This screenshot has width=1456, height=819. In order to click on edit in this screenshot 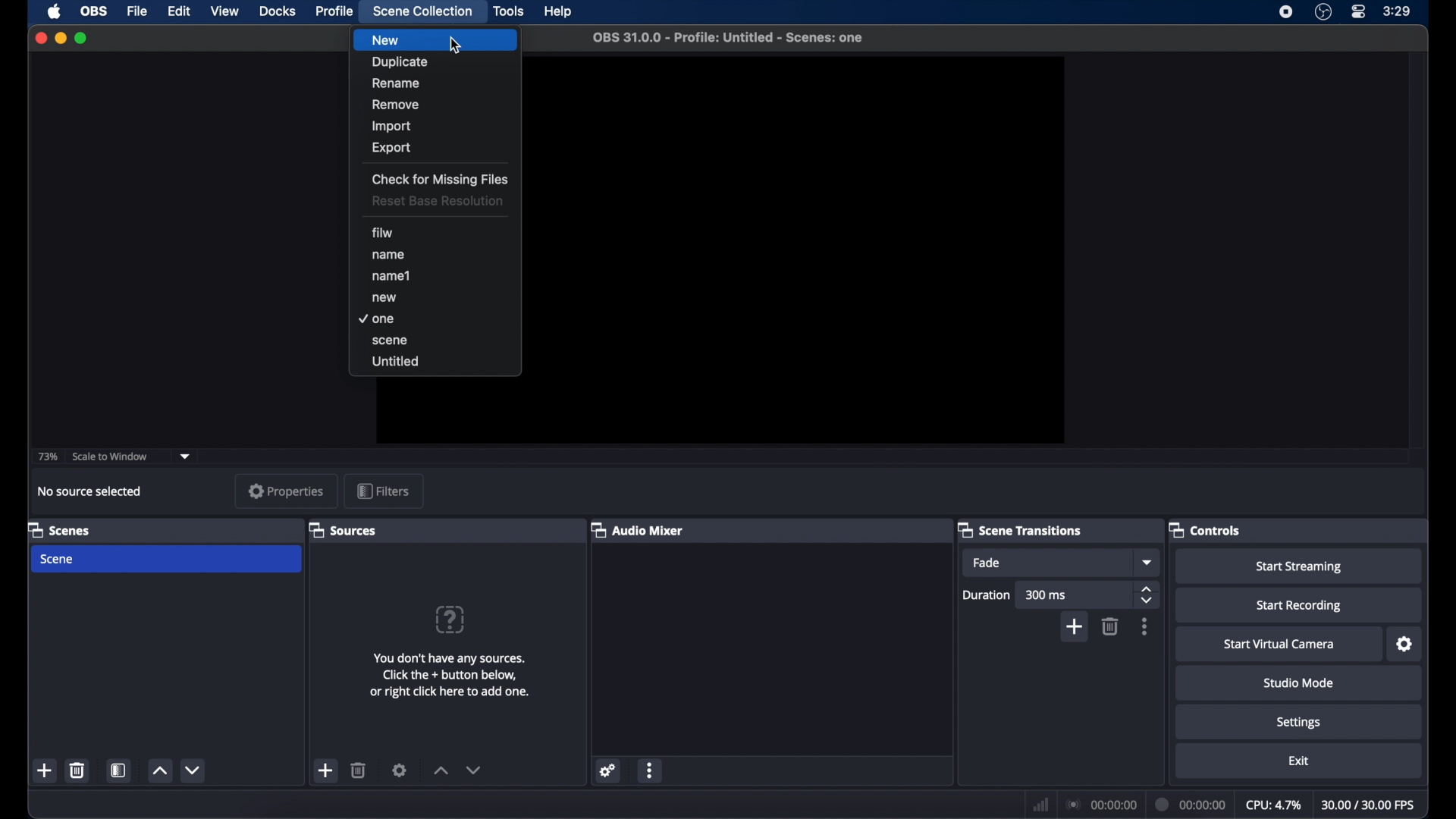, I will do `click(177, 11)`.